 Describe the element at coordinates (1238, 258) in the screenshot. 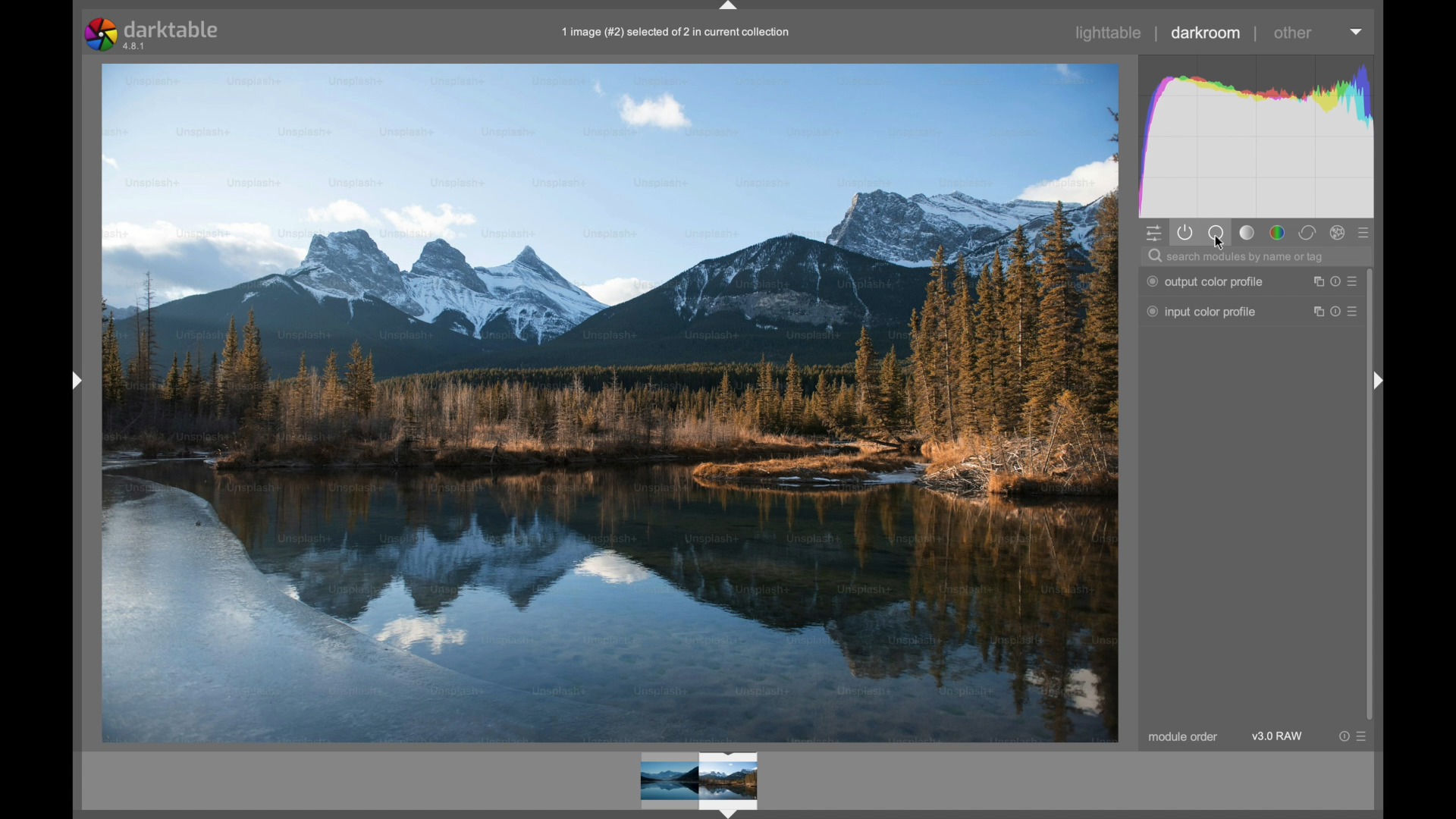

I see `search modules by name or tag` at that location.